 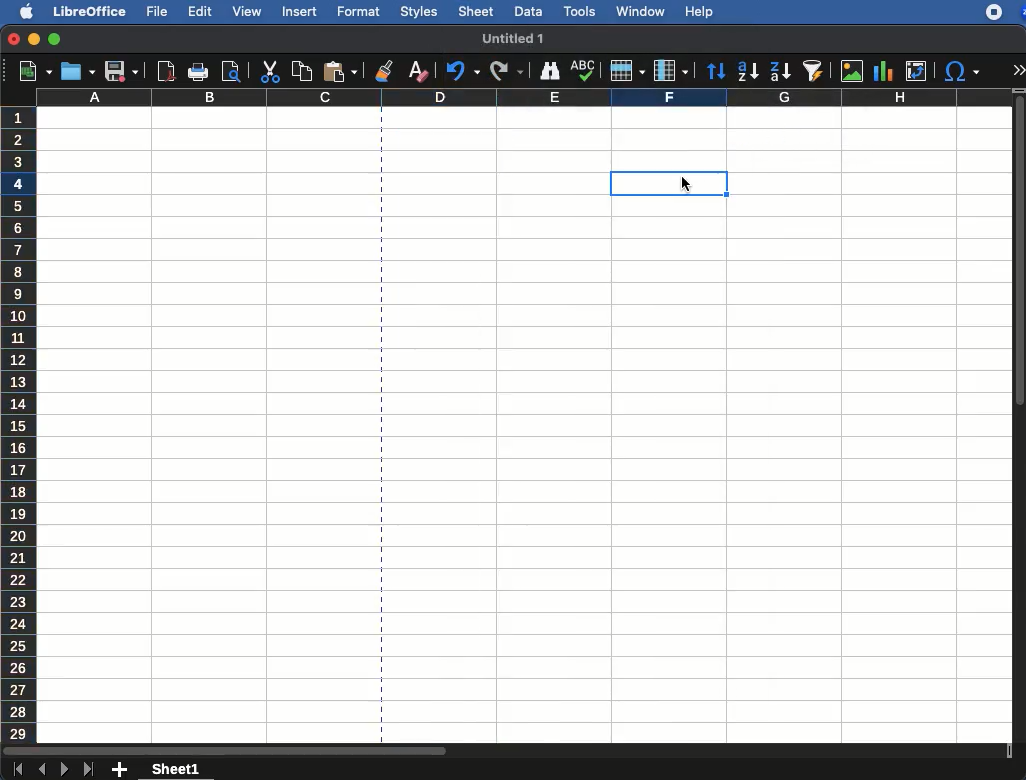 What do you see at coordinates (199, 71) in the screenshot?
I see `print` at bounding box center [199, 71].